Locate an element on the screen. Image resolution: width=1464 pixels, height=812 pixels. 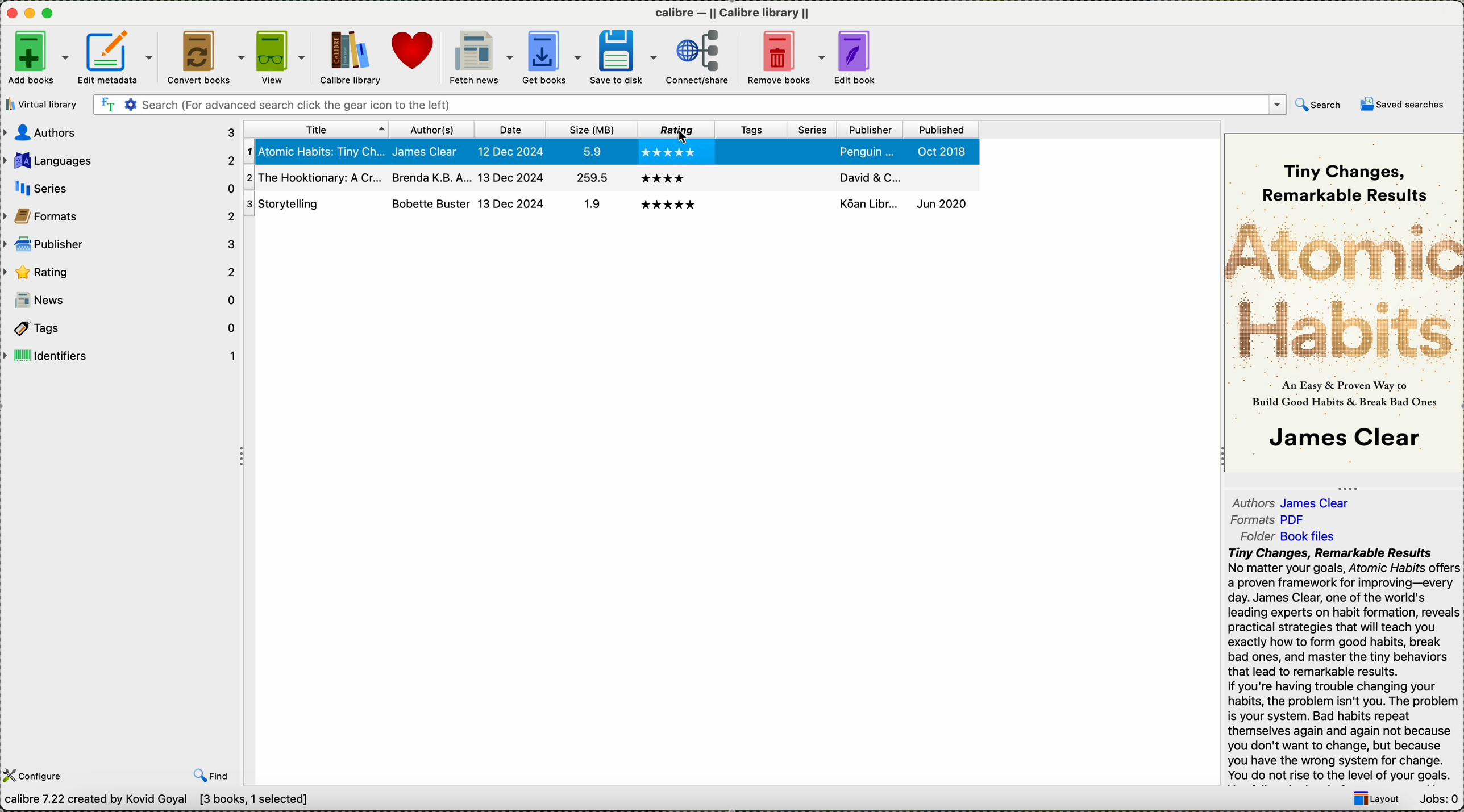
languages is located at coordinates (122, 162).